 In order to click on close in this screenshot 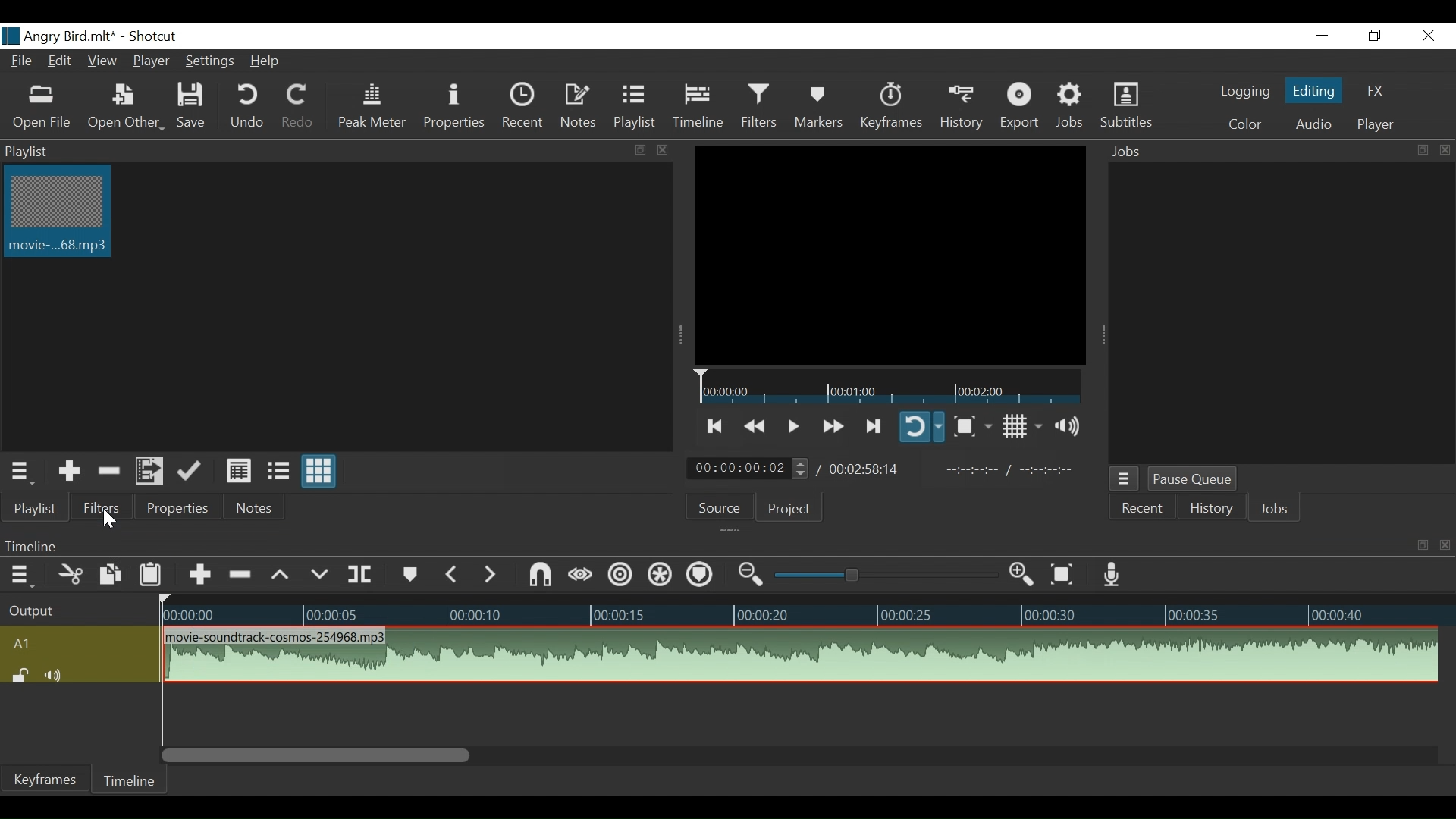, I will do `click(1442, 544)`.